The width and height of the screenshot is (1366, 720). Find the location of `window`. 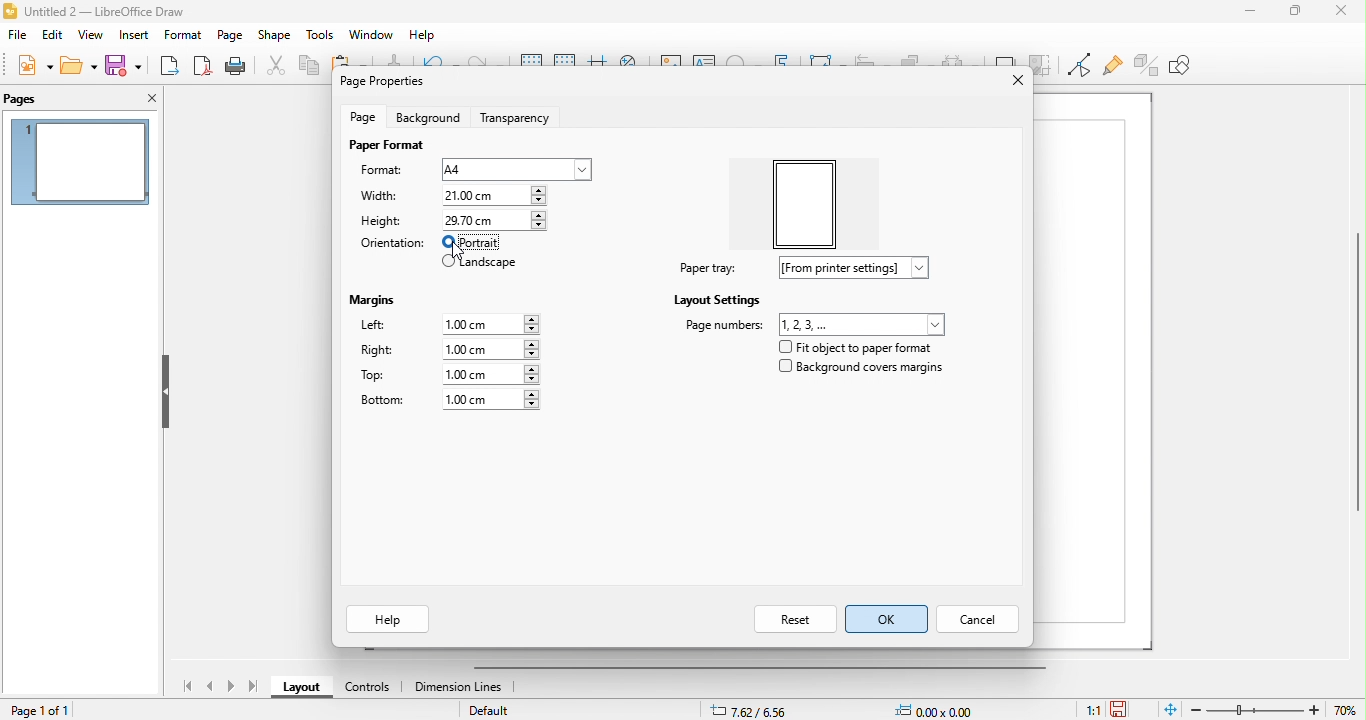

window is located at coordinates (372, 35).